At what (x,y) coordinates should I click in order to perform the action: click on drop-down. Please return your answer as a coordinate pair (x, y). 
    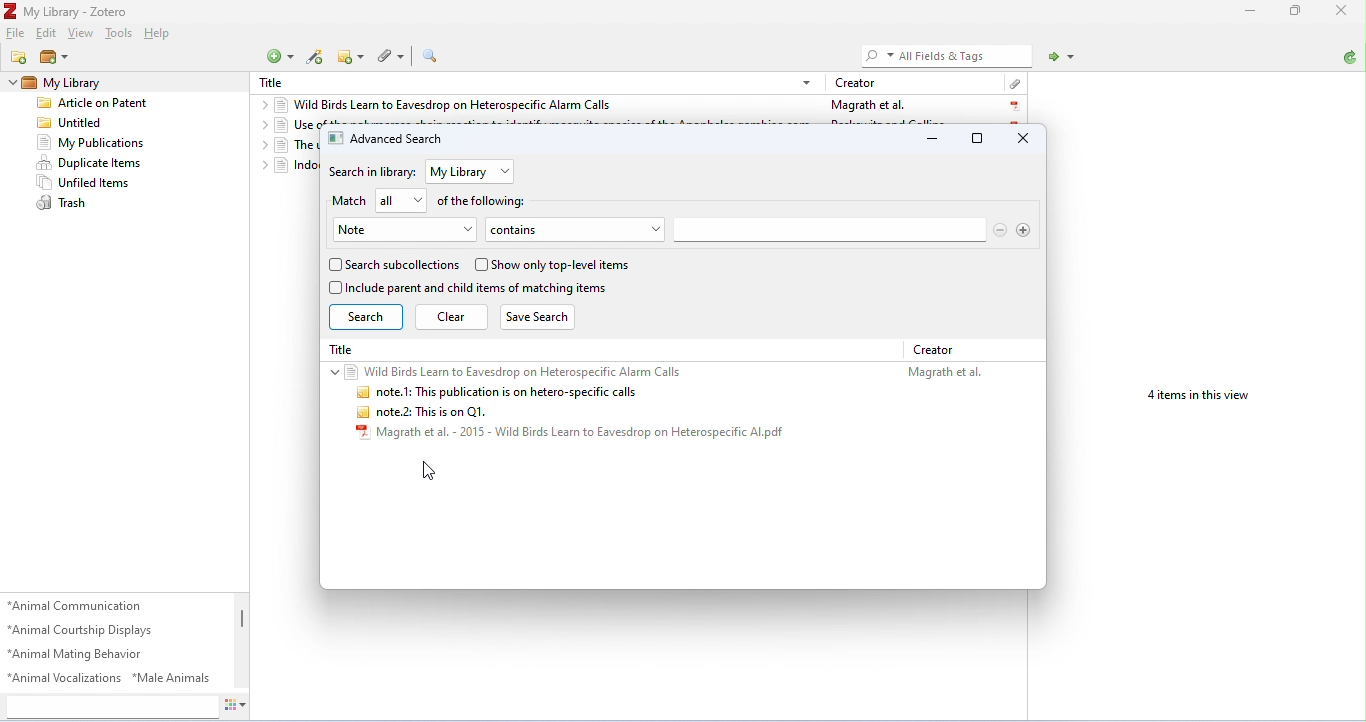
    Looking at the image, I should click on (808, 83).